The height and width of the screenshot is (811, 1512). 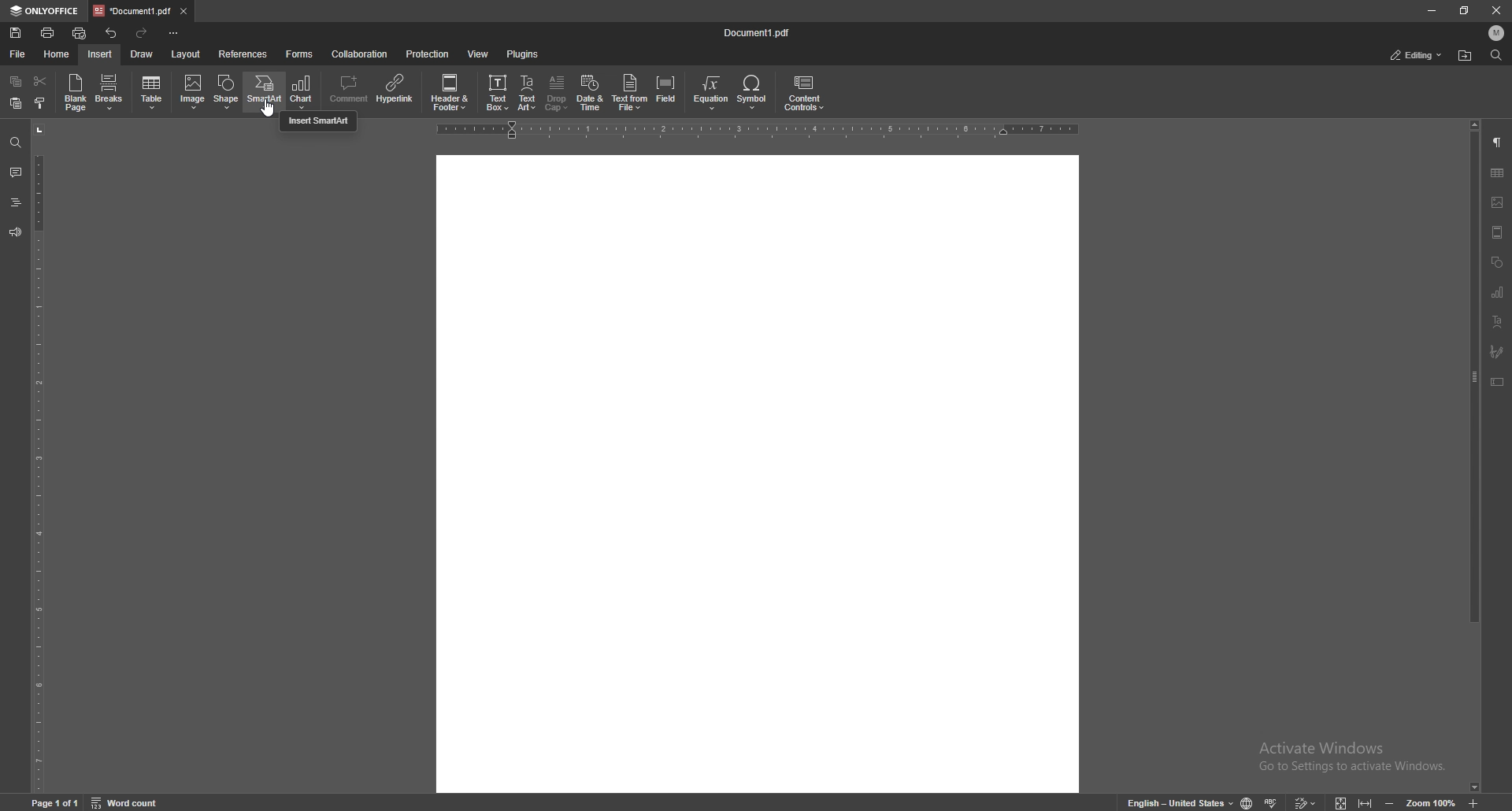 What do you see at coordinates (1365, 802) in the screenshot?
I see `fit to width` at bounding box center [1365, 802].